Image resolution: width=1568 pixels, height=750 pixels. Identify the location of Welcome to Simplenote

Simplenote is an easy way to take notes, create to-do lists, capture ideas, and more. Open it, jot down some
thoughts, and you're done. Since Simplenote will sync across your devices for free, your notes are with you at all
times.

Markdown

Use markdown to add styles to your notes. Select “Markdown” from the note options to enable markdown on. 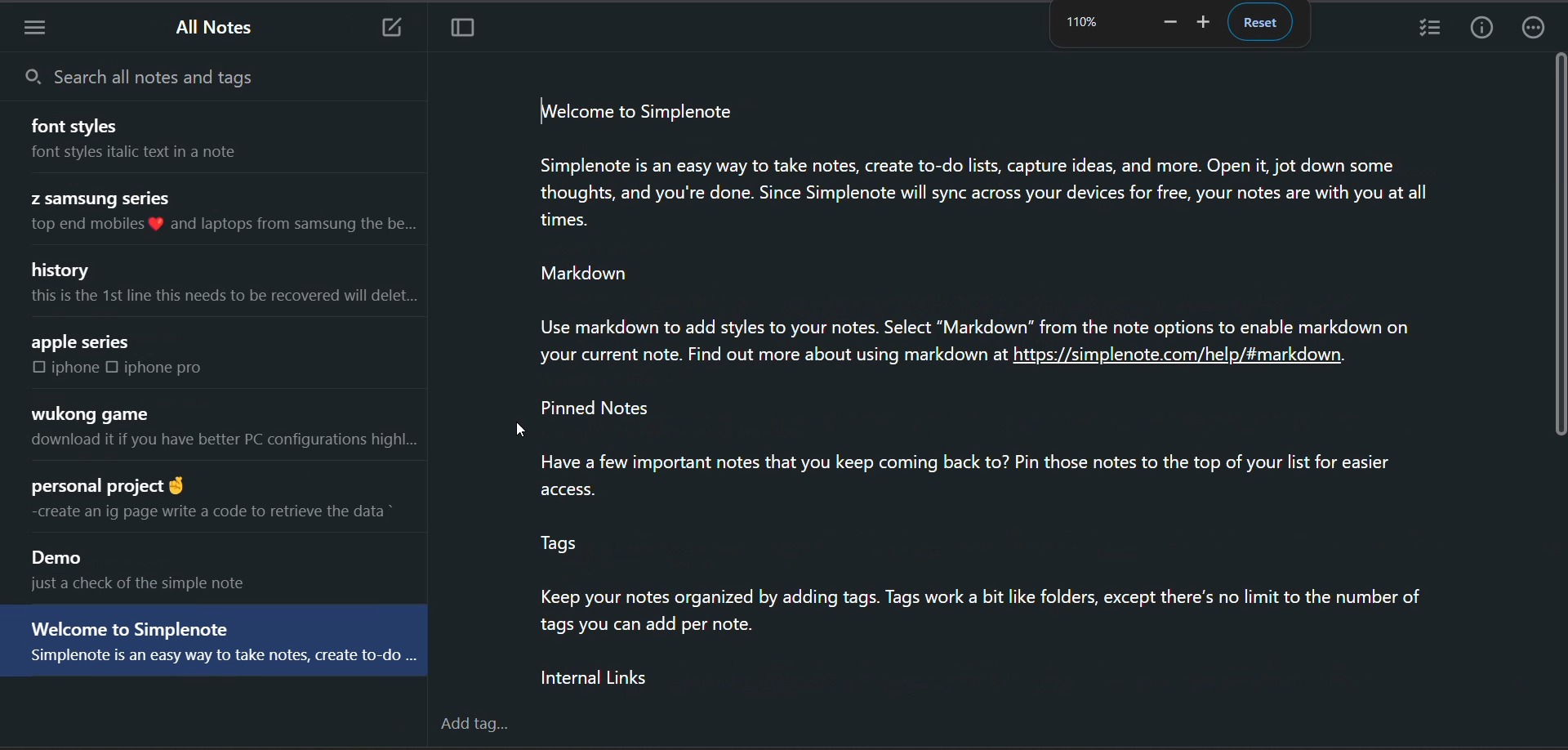
(976, 212).